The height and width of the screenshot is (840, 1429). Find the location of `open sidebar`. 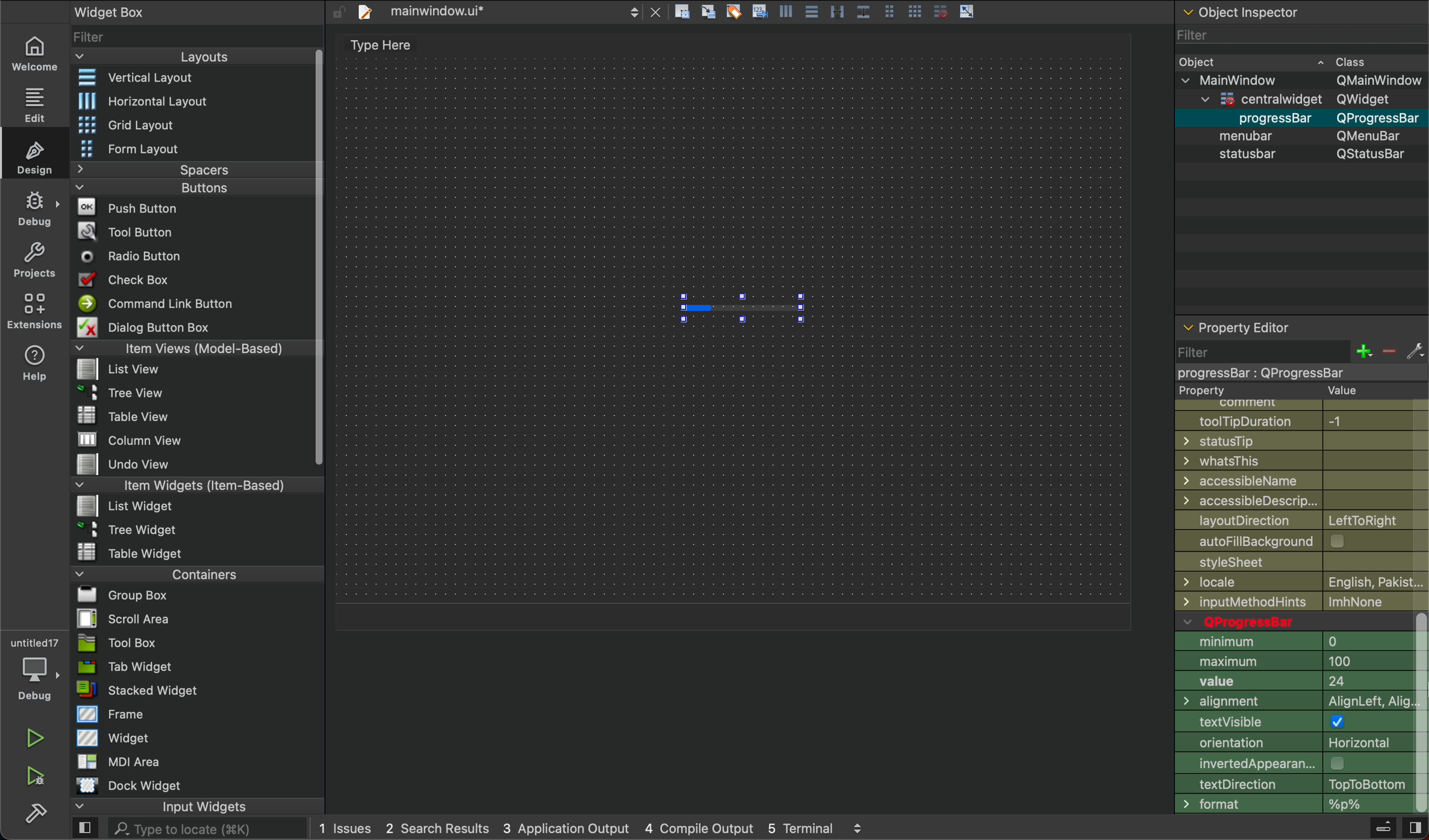

open sidebar is located at coordinates (85, 829).